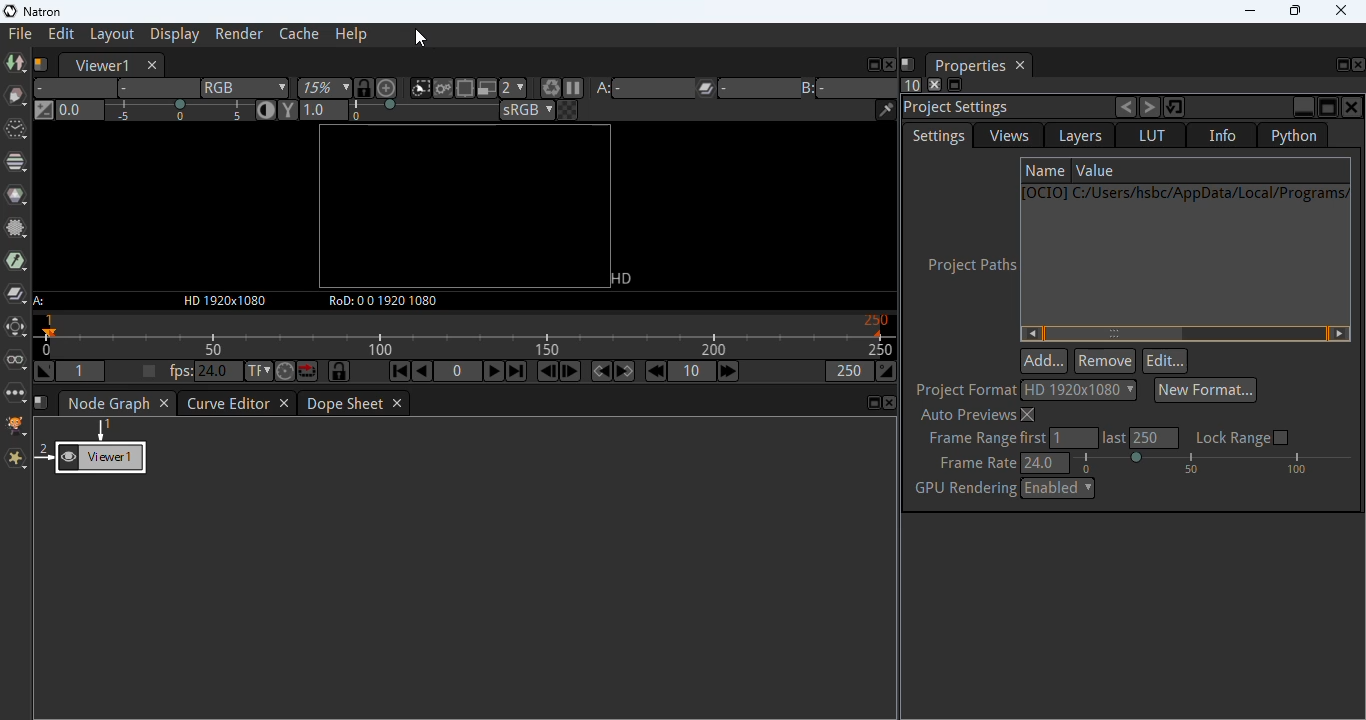 This screenshot has height=720, width=1366. I want to click on operation applied between viewer inputs A and B., so click(747, 87).